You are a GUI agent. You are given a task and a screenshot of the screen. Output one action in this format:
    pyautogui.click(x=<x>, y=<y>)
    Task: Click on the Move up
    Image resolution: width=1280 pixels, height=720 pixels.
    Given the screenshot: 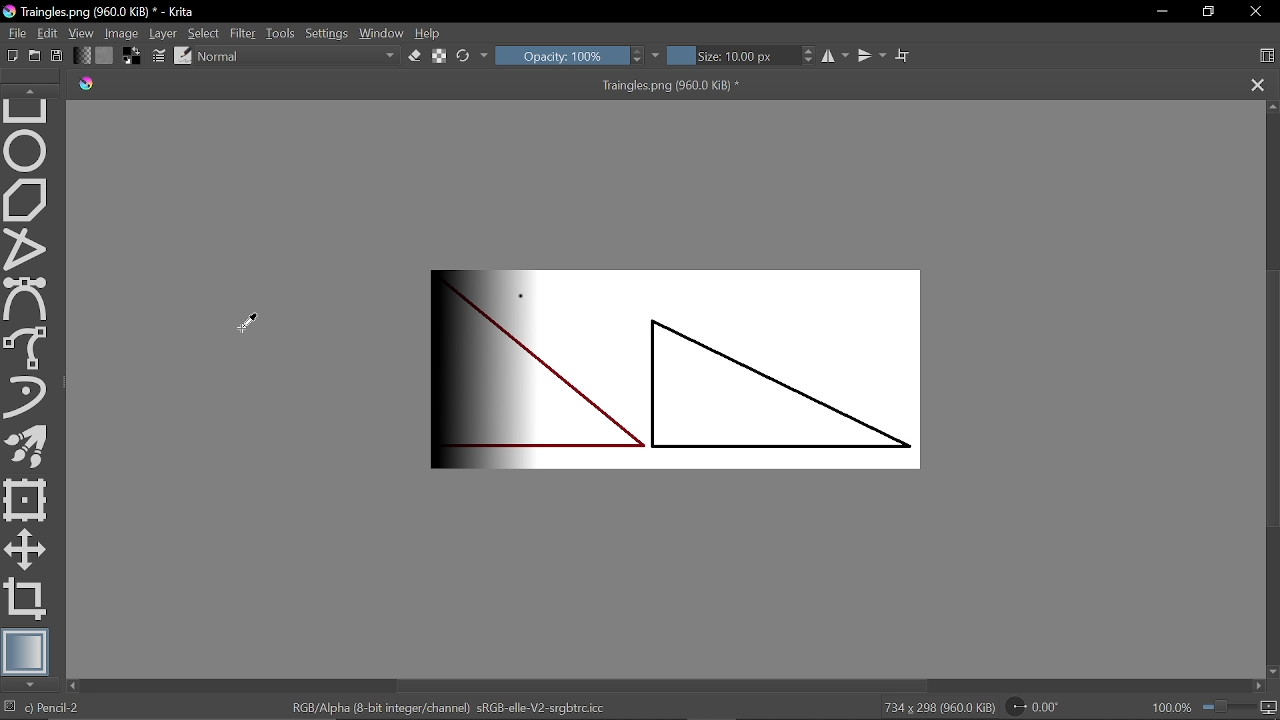 What is the action you would take?
    pyautogui.click(x=1272, y=107)
    